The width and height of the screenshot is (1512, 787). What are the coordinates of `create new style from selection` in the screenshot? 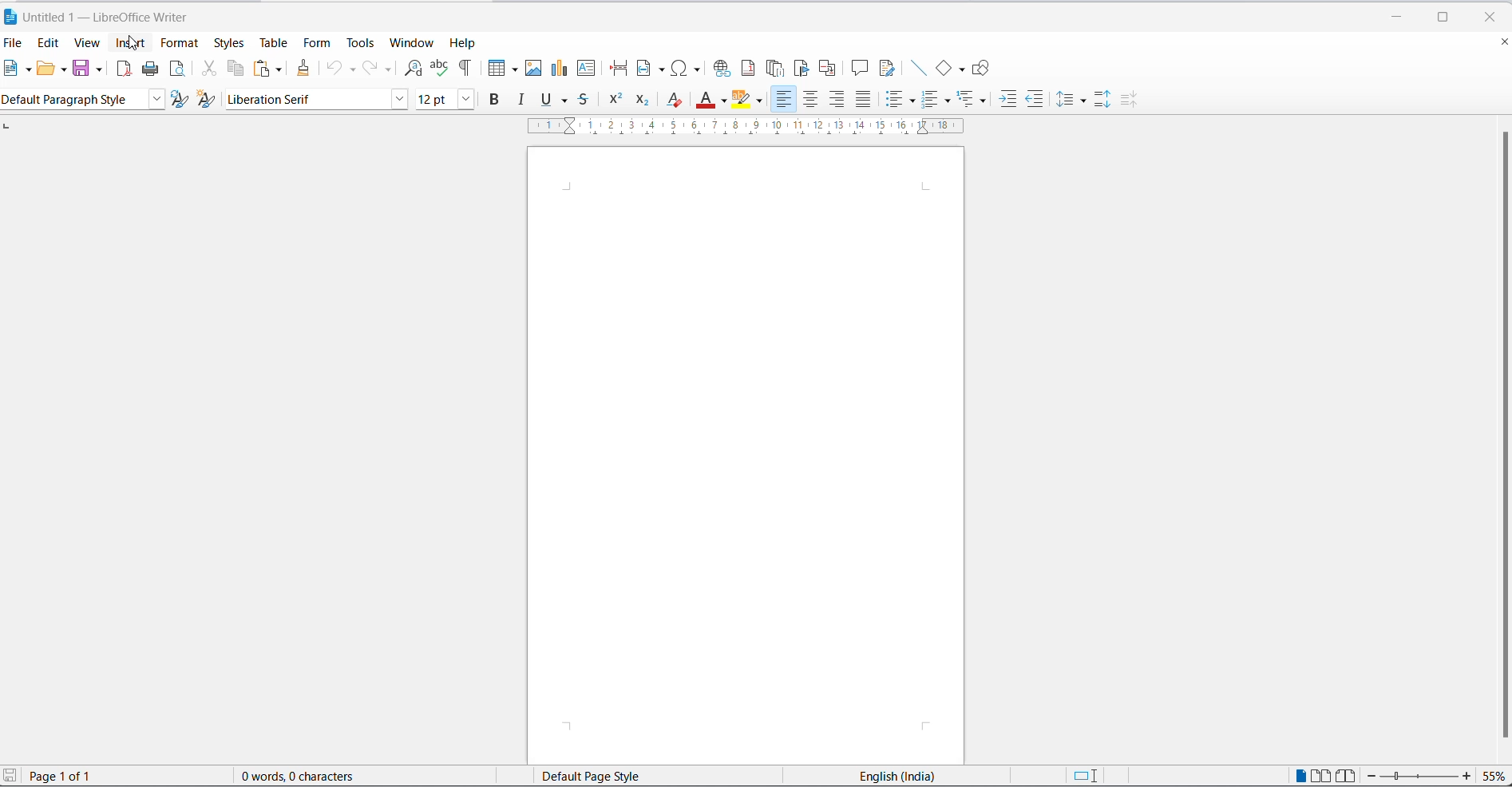 It's located at (210, 101).